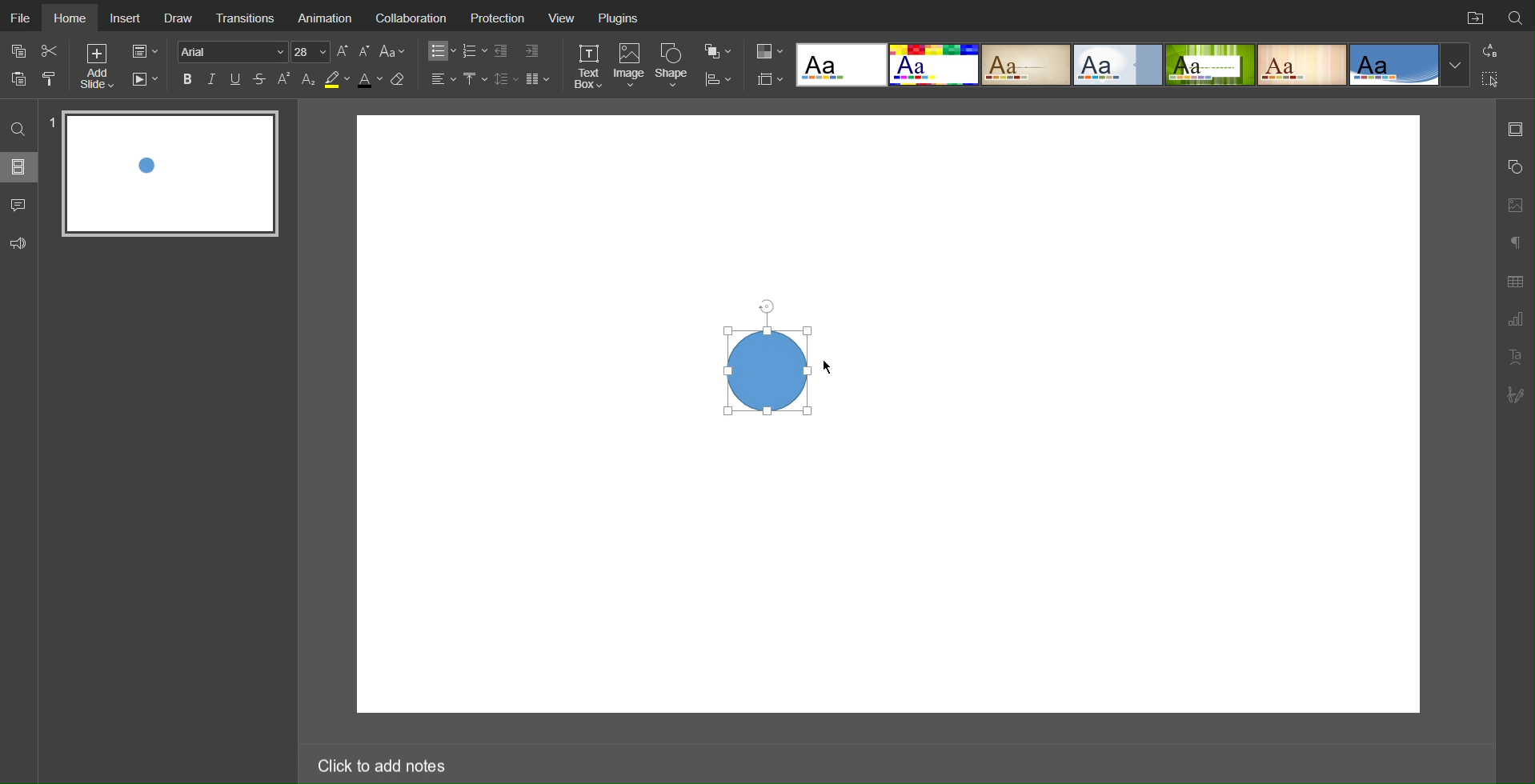 This screenshot has width=1535, height=784. I want to click on Font Case, so click(394, 51).